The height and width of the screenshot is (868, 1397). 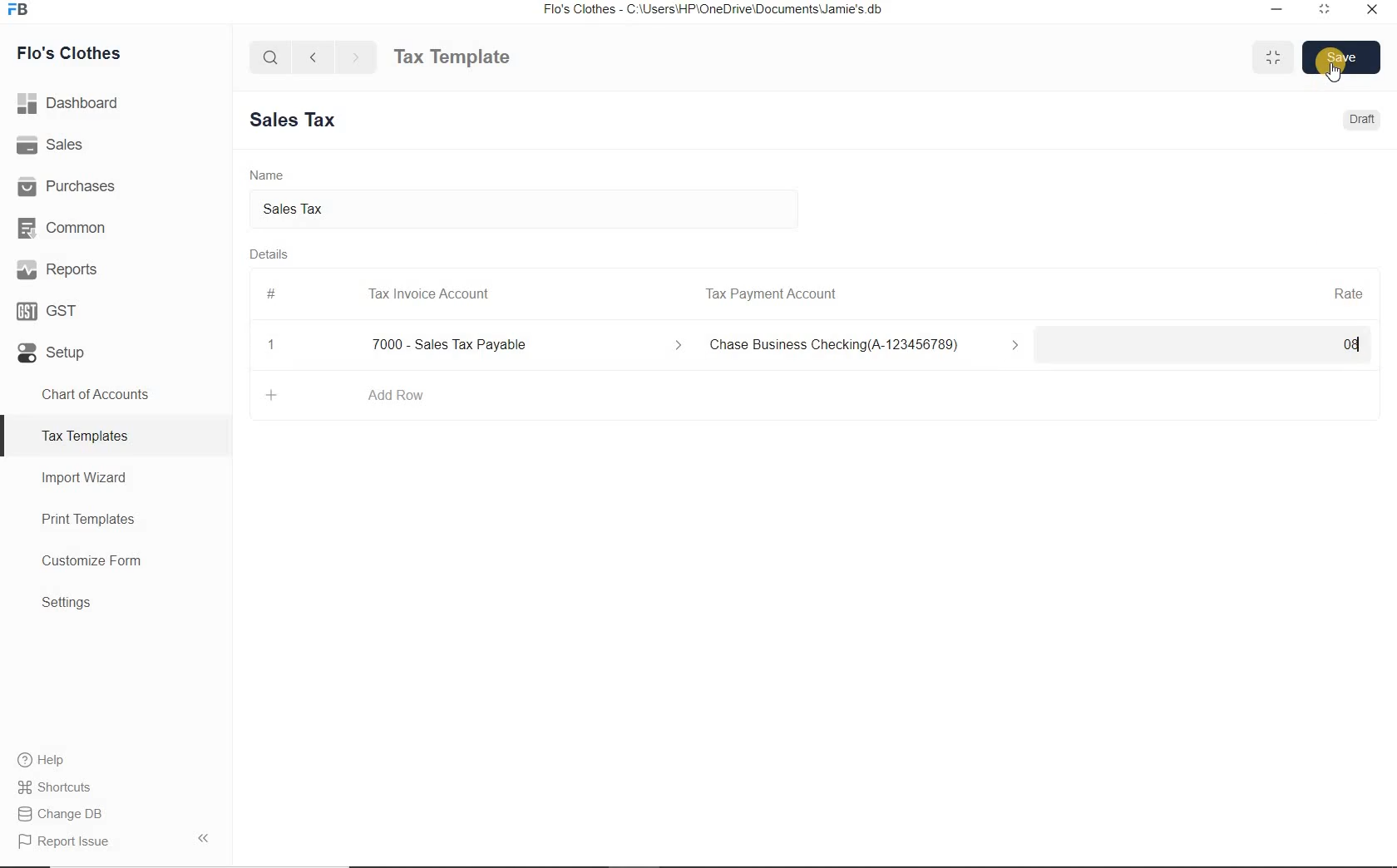 I want to click on Save, so click(x=1342, y=57).